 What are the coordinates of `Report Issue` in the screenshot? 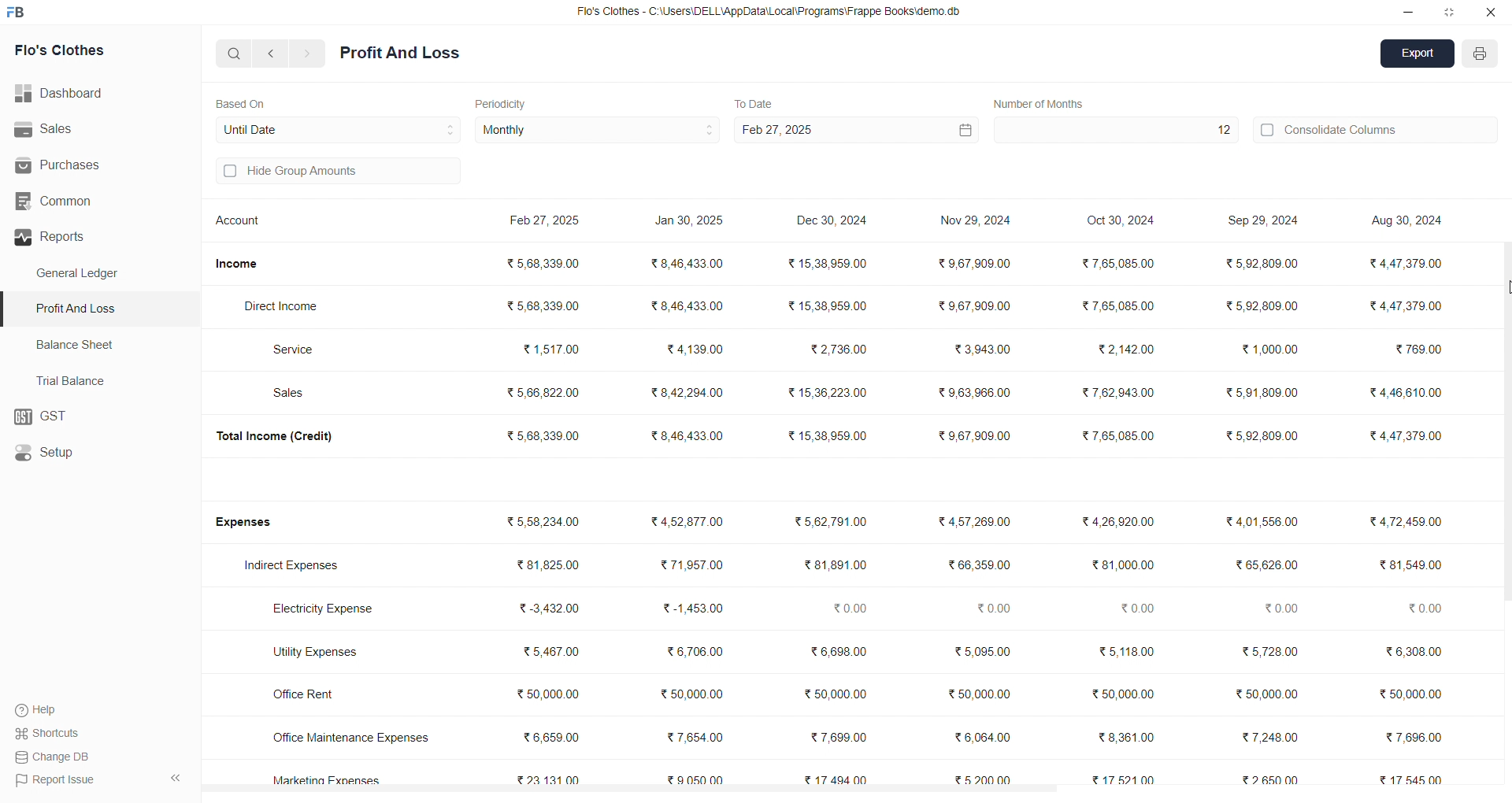 It's located at (56, 779).